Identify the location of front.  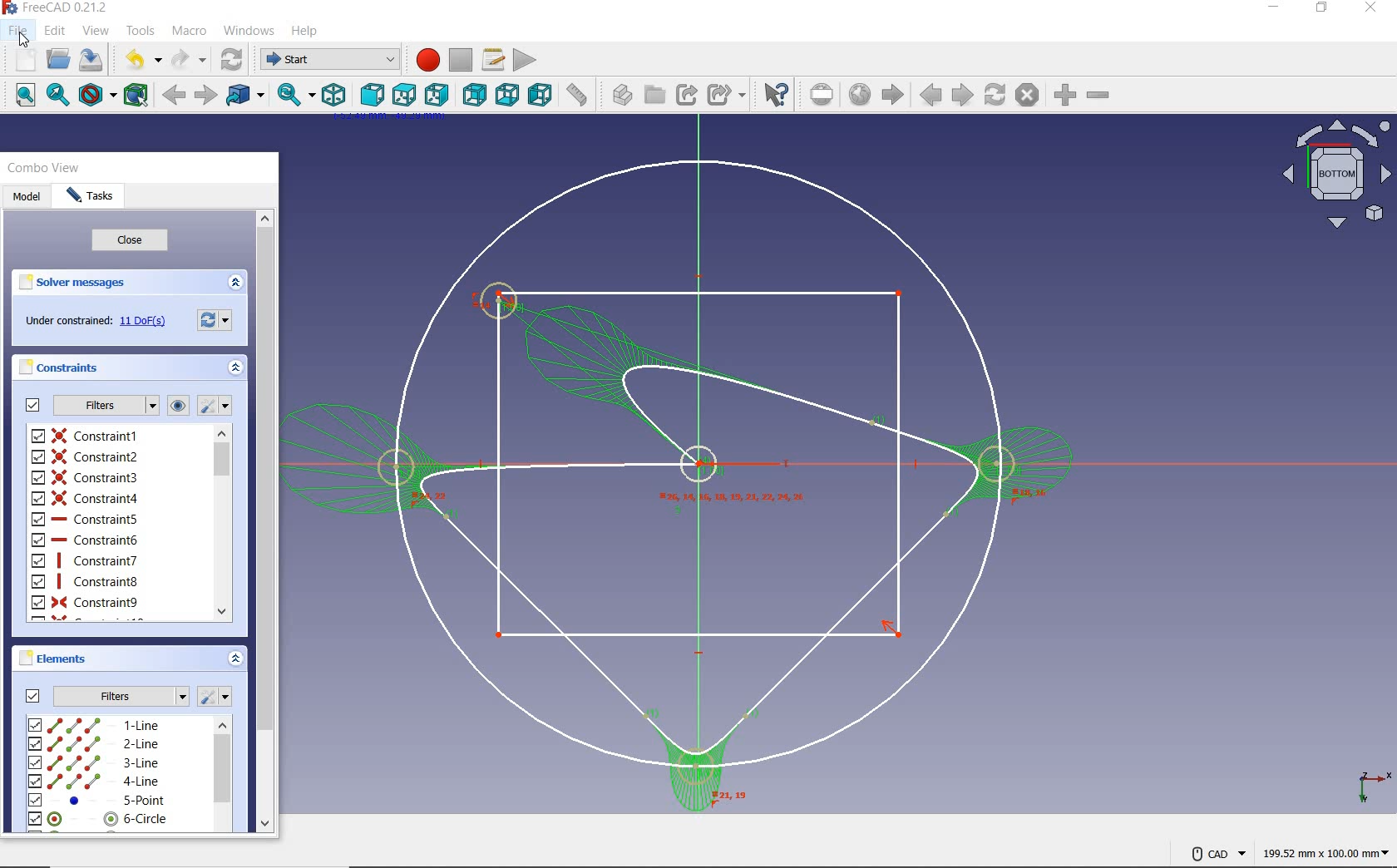
(372, 94).